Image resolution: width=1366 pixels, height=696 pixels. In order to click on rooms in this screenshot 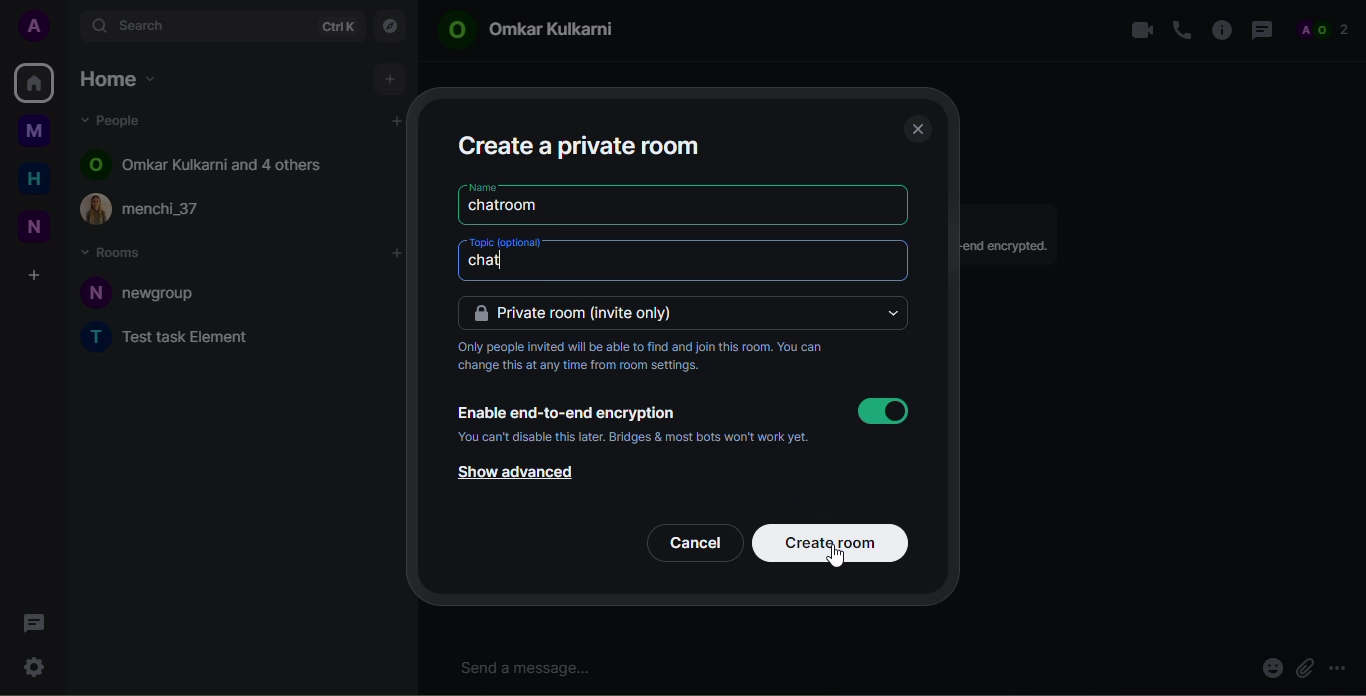, I will do `click(115, 251)`.